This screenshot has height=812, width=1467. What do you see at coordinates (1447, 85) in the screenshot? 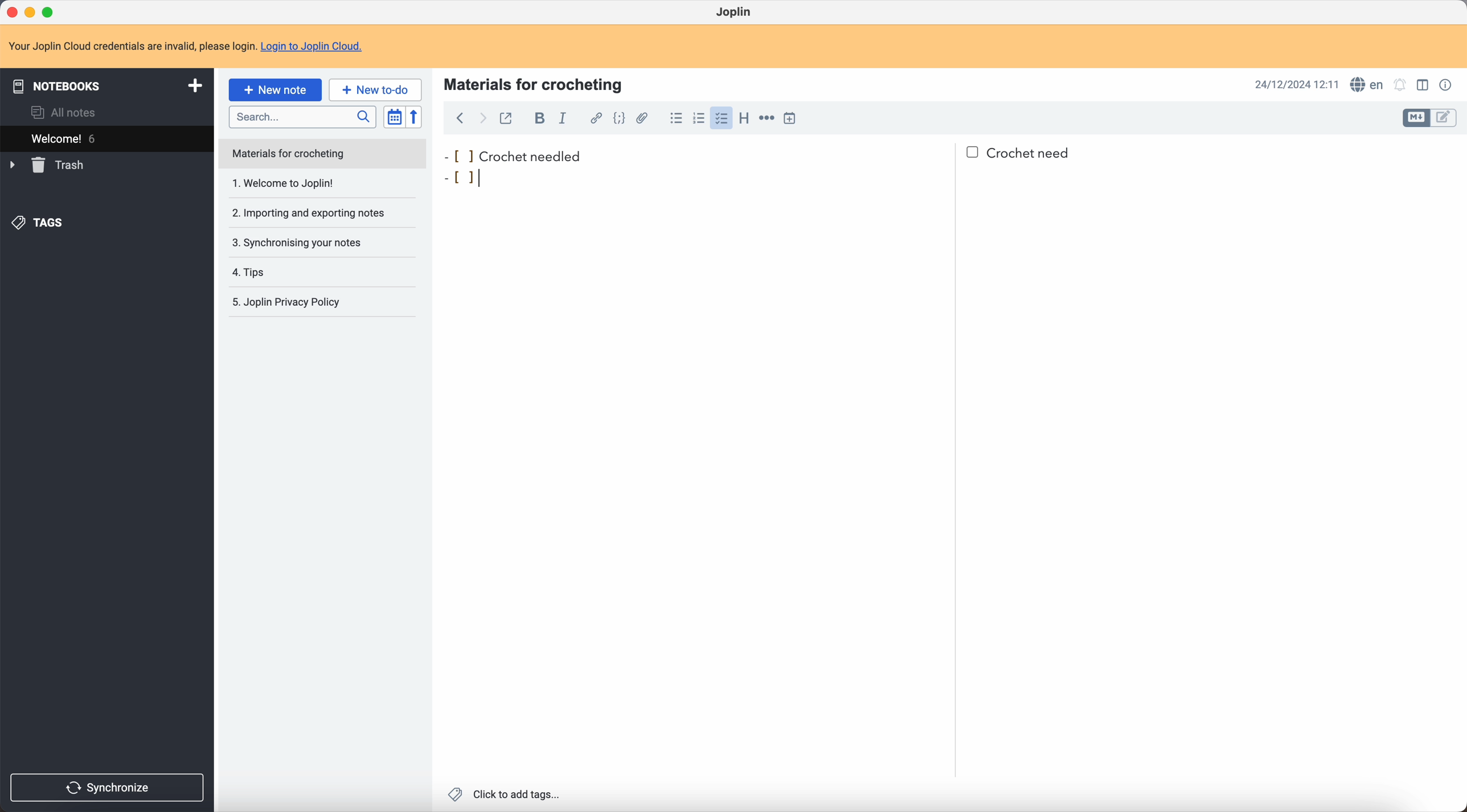
I see `note properties` at bounding box center [1447, 85].